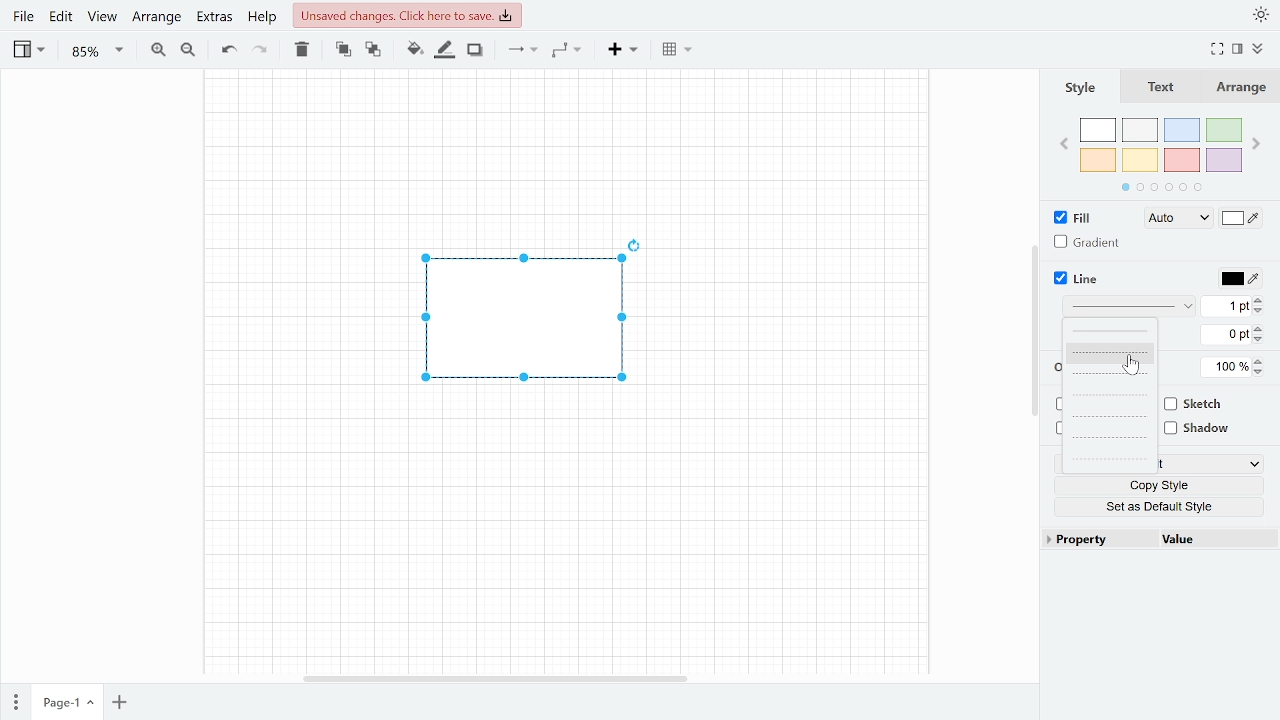 This screenshot has height=720, width=1280. I want to click on Previous, so click(1065, 145).